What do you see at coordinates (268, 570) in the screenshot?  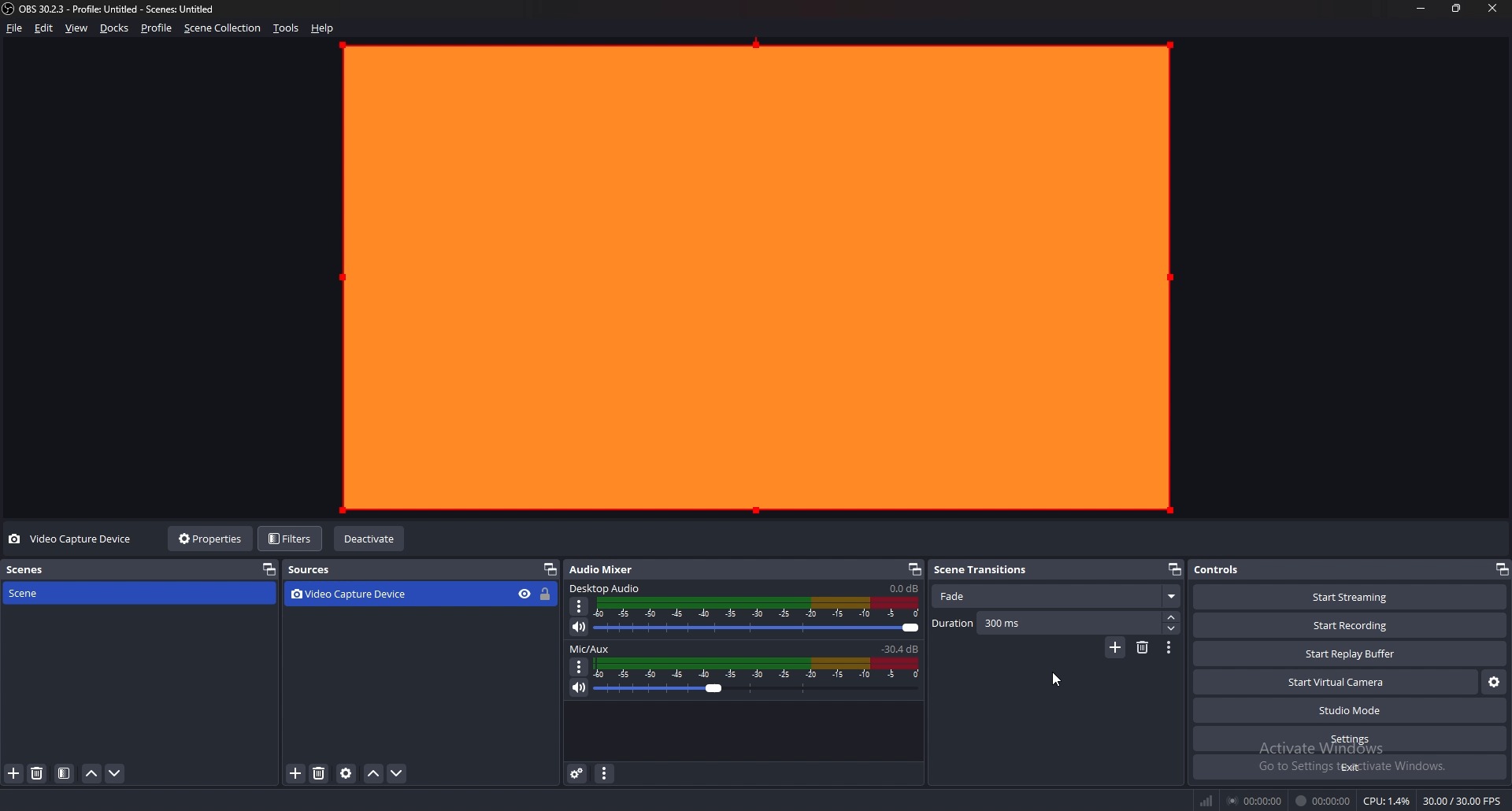 I see `pop out` at bounding box center [268, 570].